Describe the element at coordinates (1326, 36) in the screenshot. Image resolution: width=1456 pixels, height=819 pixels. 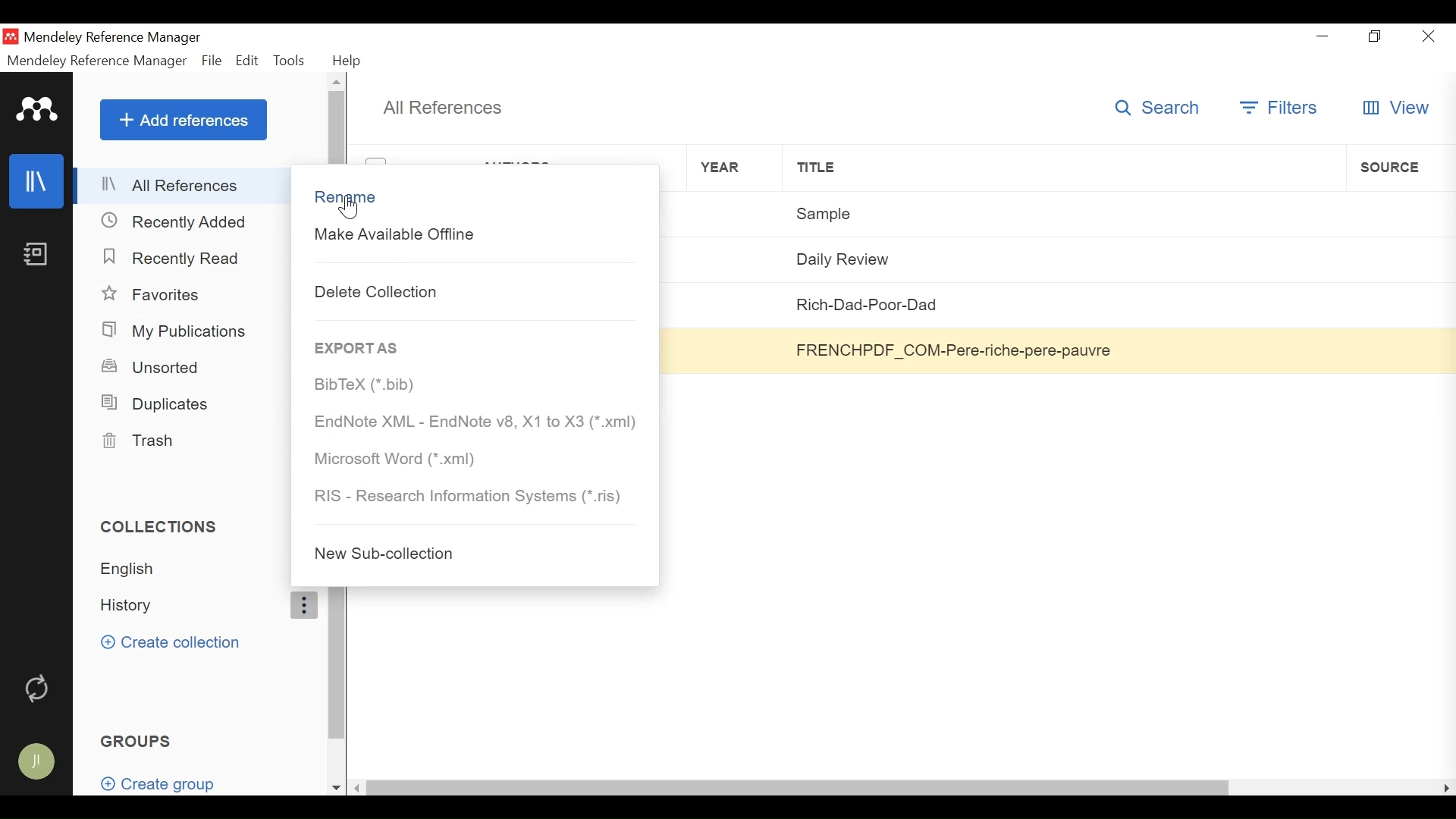
I see `minimize` at that location.